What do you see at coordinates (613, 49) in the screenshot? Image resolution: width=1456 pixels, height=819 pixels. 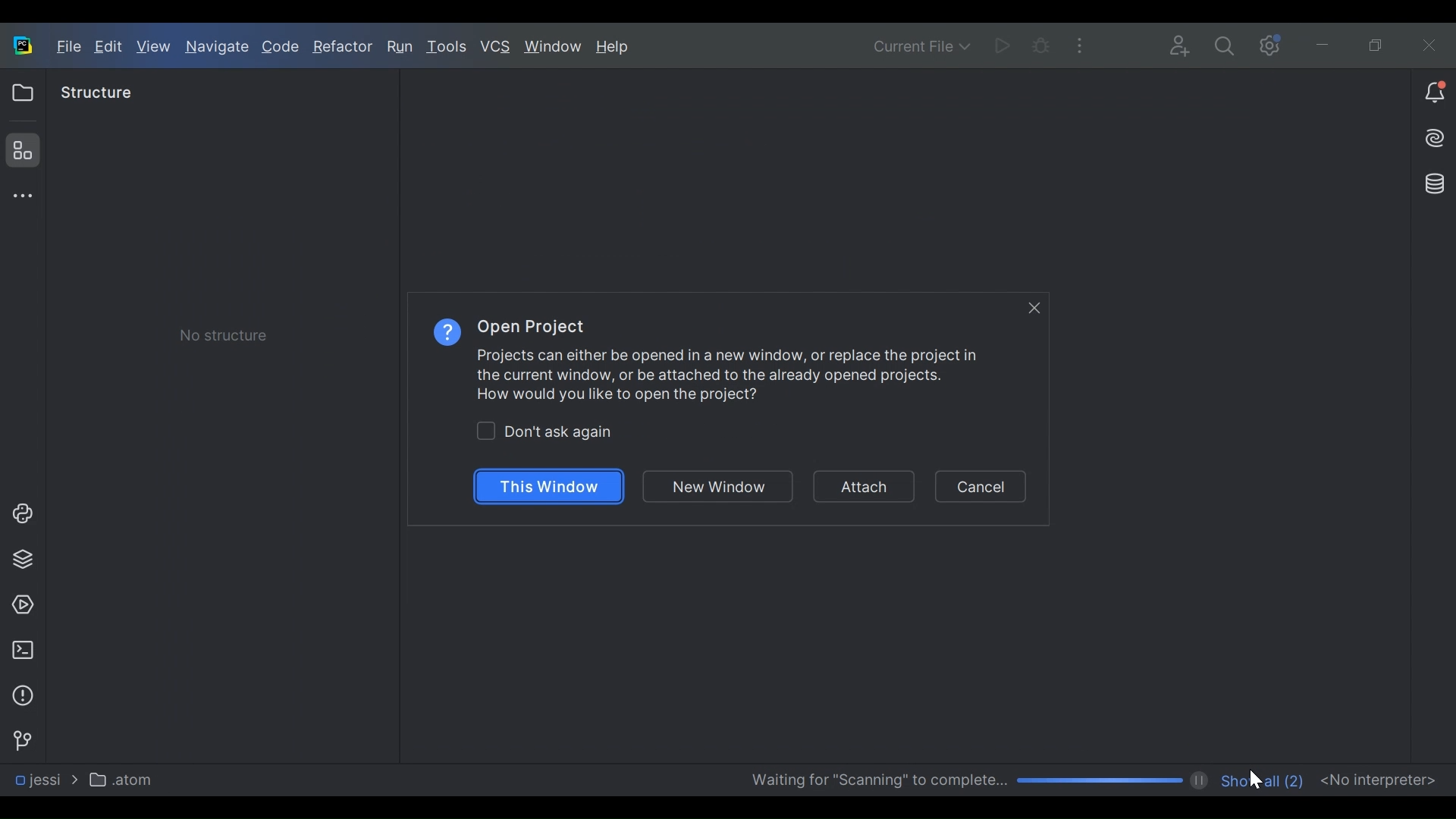 I see `Help` at bounding box center [613, 49].